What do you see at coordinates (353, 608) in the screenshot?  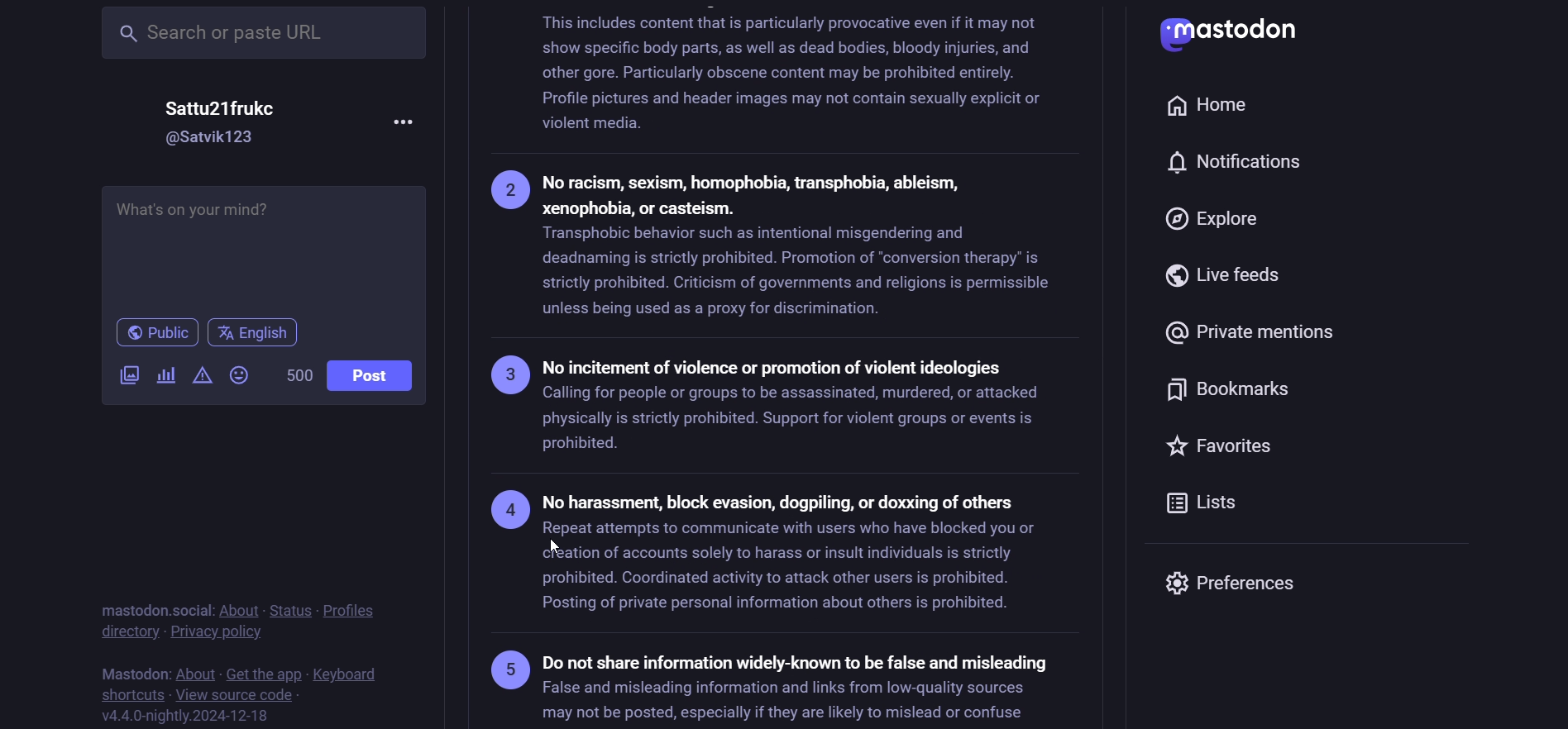 I see `profiles` at bounding box center [353, 608].